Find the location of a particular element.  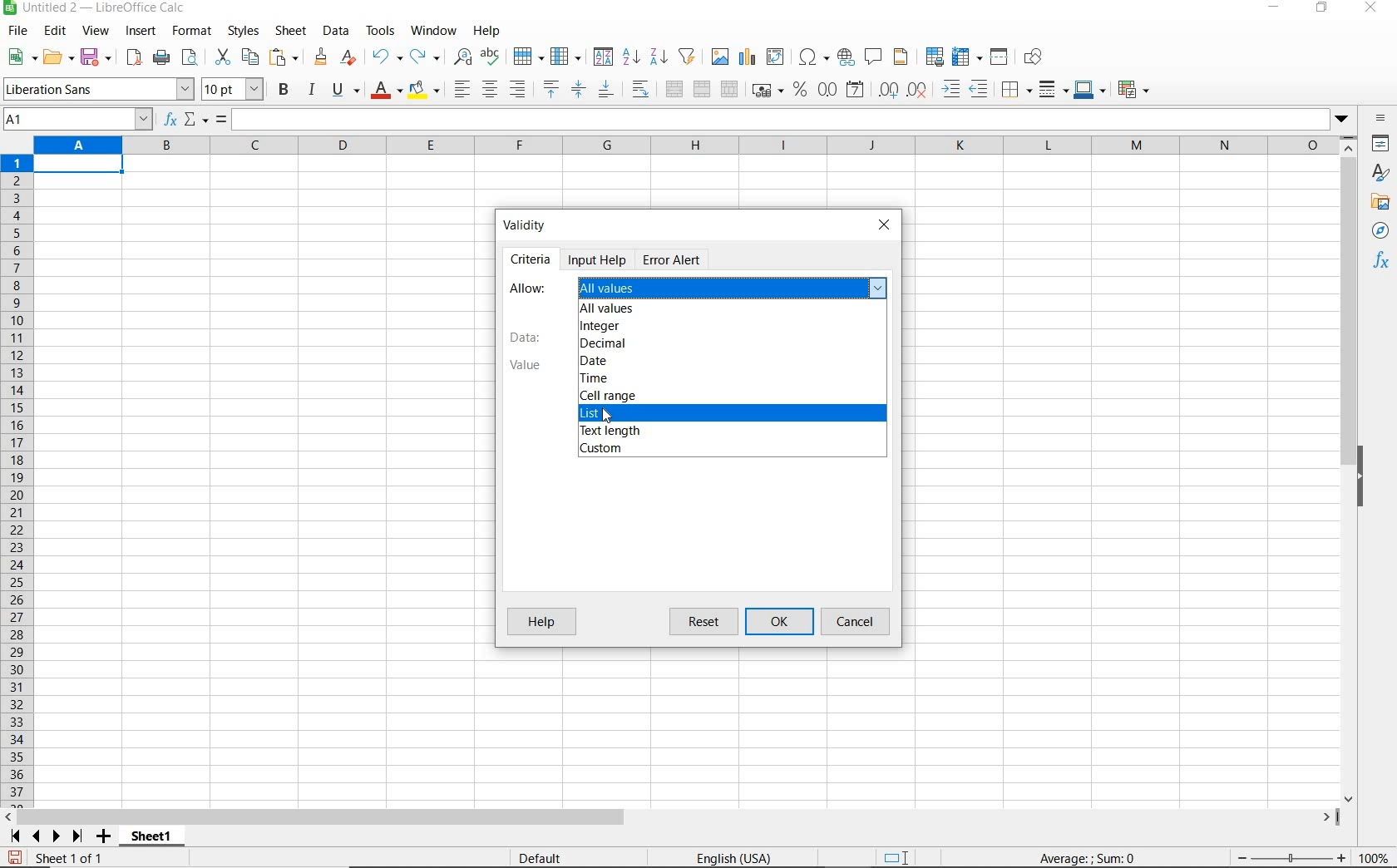

Value is located at coordinates (522, 365).